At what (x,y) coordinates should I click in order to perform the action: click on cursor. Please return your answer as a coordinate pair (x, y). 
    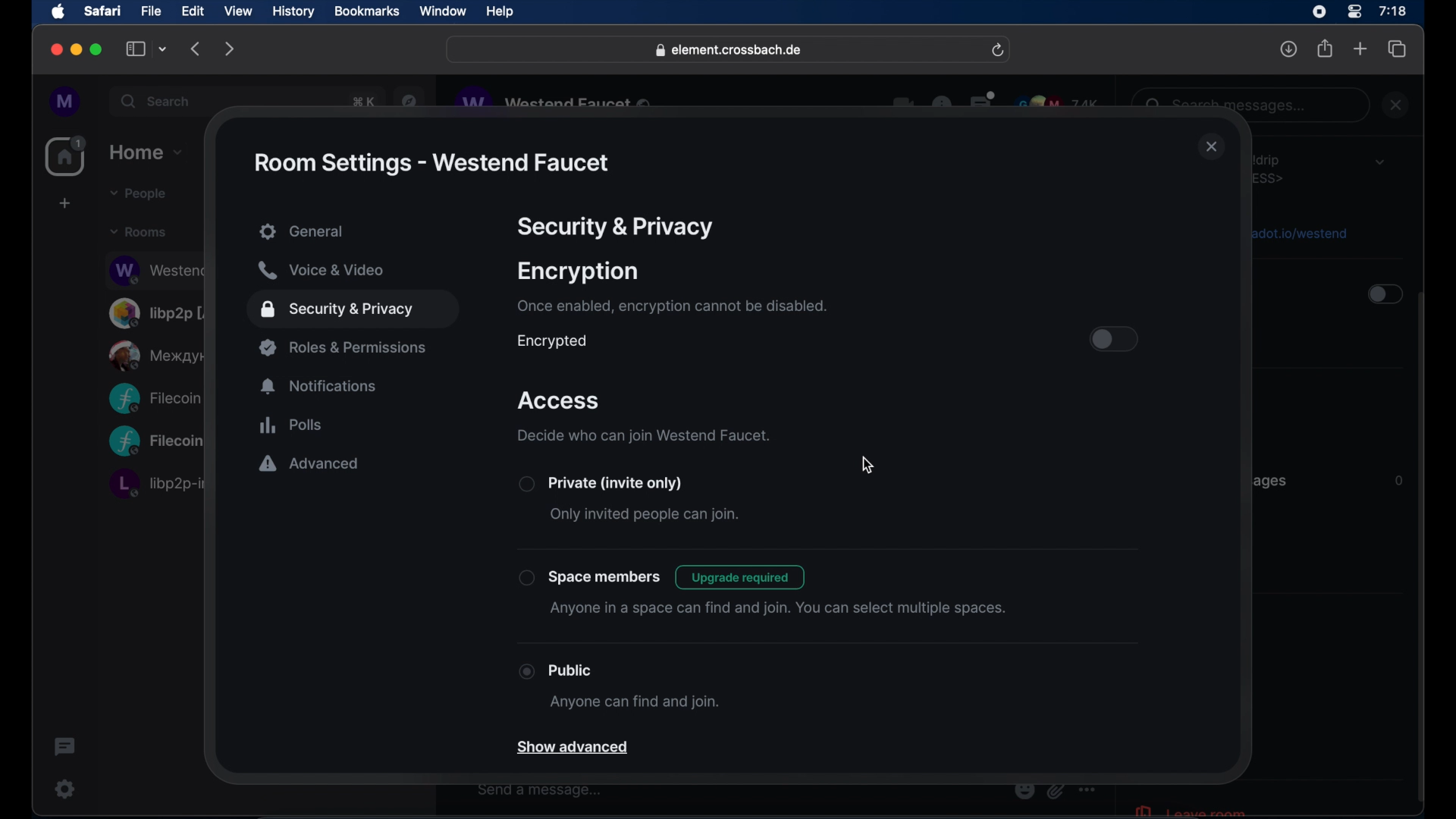
    Looking at the image, I should click on (867, 464).